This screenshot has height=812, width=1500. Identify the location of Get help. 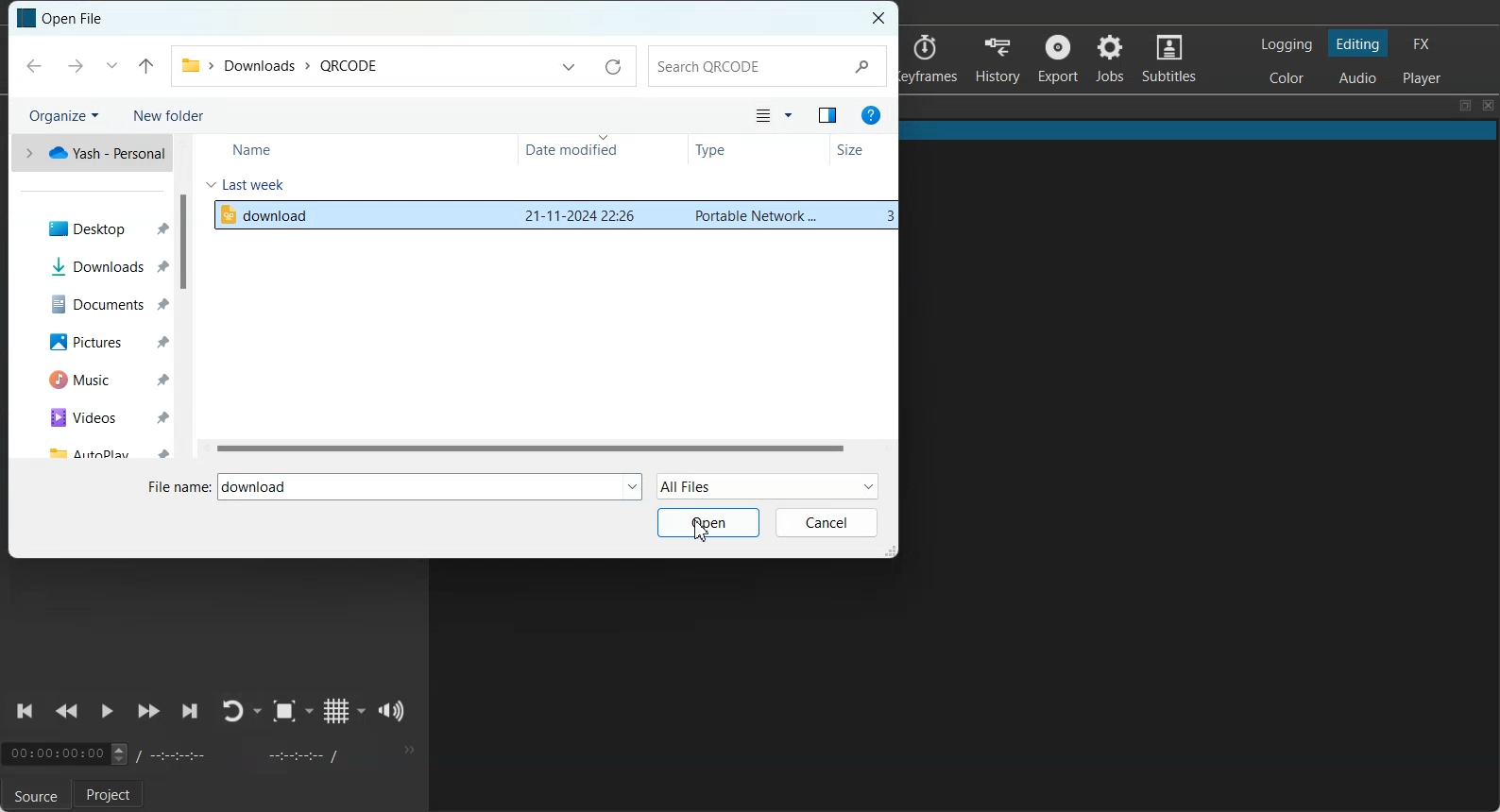
(871, 115).